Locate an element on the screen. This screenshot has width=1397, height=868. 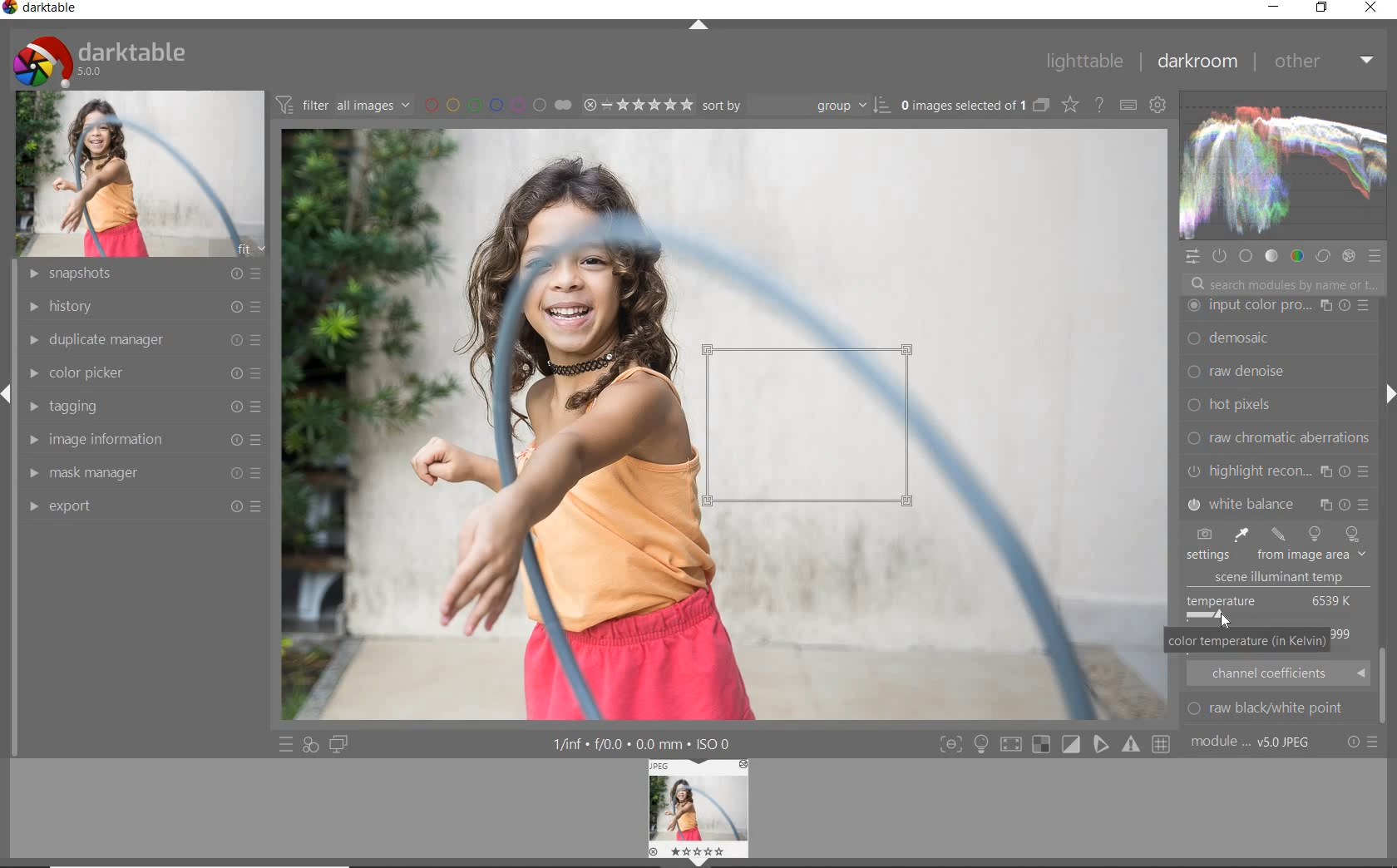
define keyboard shortcut is located at coordinates (1128, 105).